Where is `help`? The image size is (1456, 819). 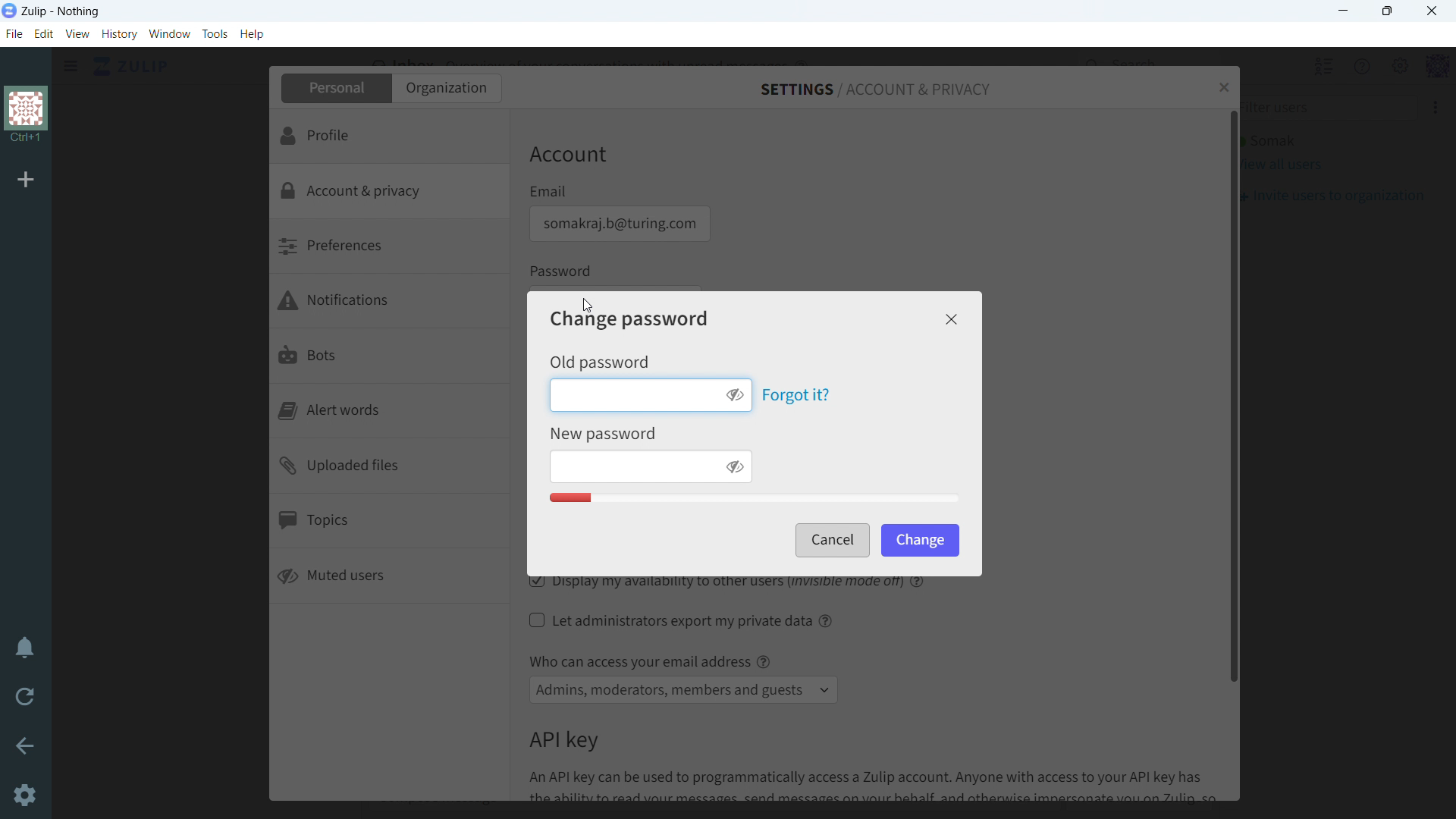
help is located at coordinates (827, 620).